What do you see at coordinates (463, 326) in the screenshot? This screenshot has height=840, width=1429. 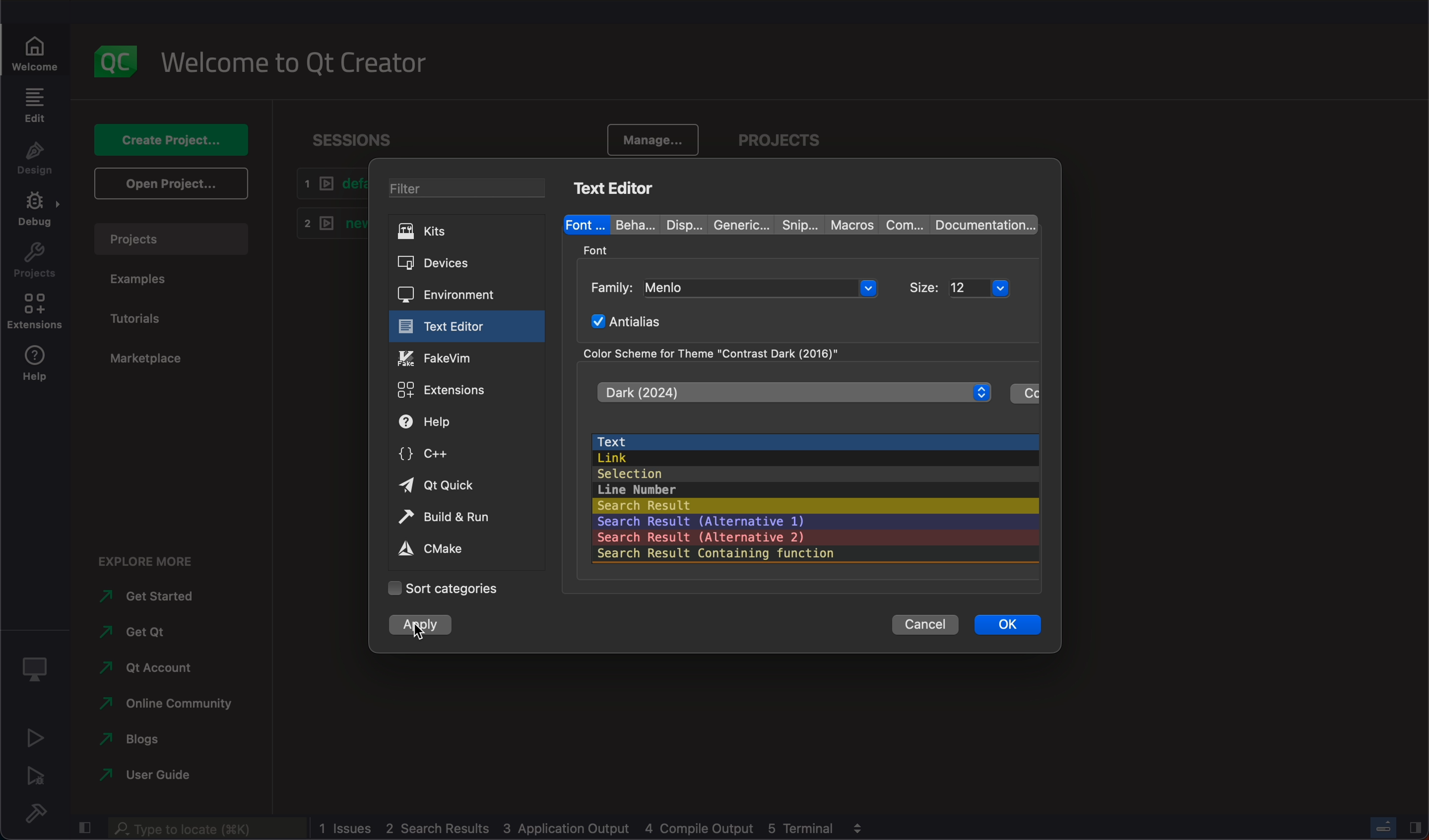 I see `text editor` at bounding box center [463, 326].